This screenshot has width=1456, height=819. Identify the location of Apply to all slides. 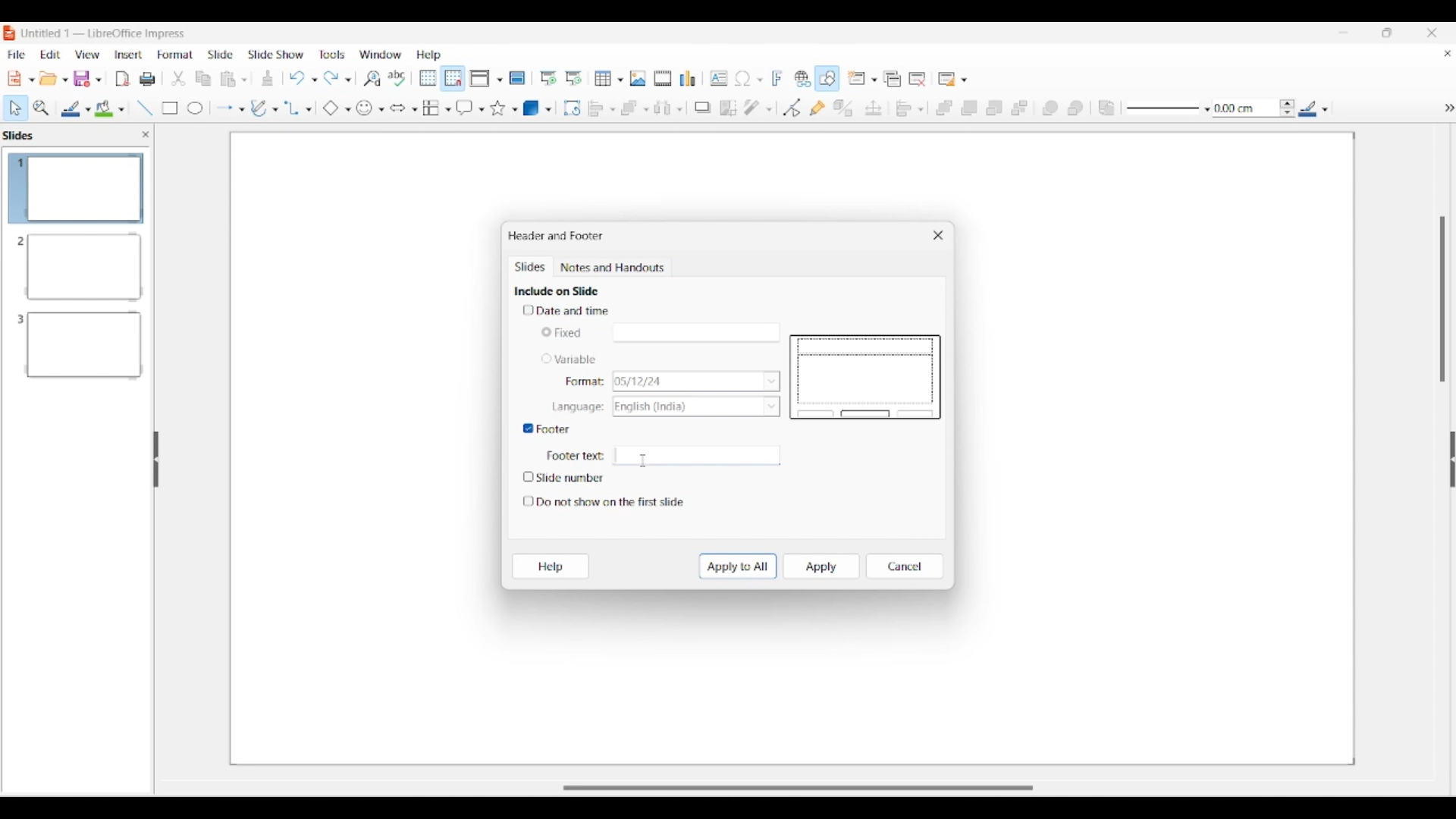
(738, 566).